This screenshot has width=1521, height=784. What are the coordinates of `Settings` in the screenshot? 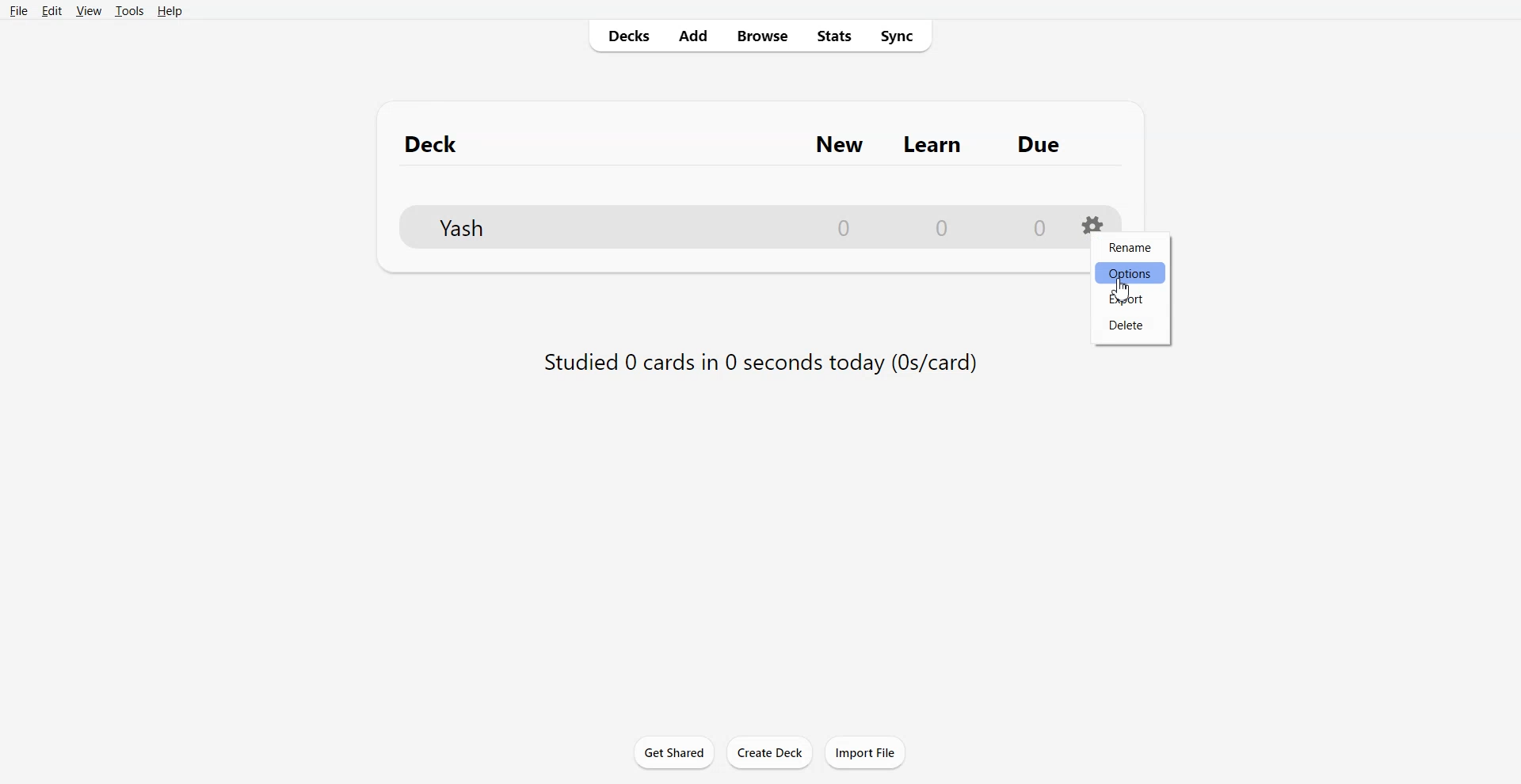 It's located at (1093, 220).